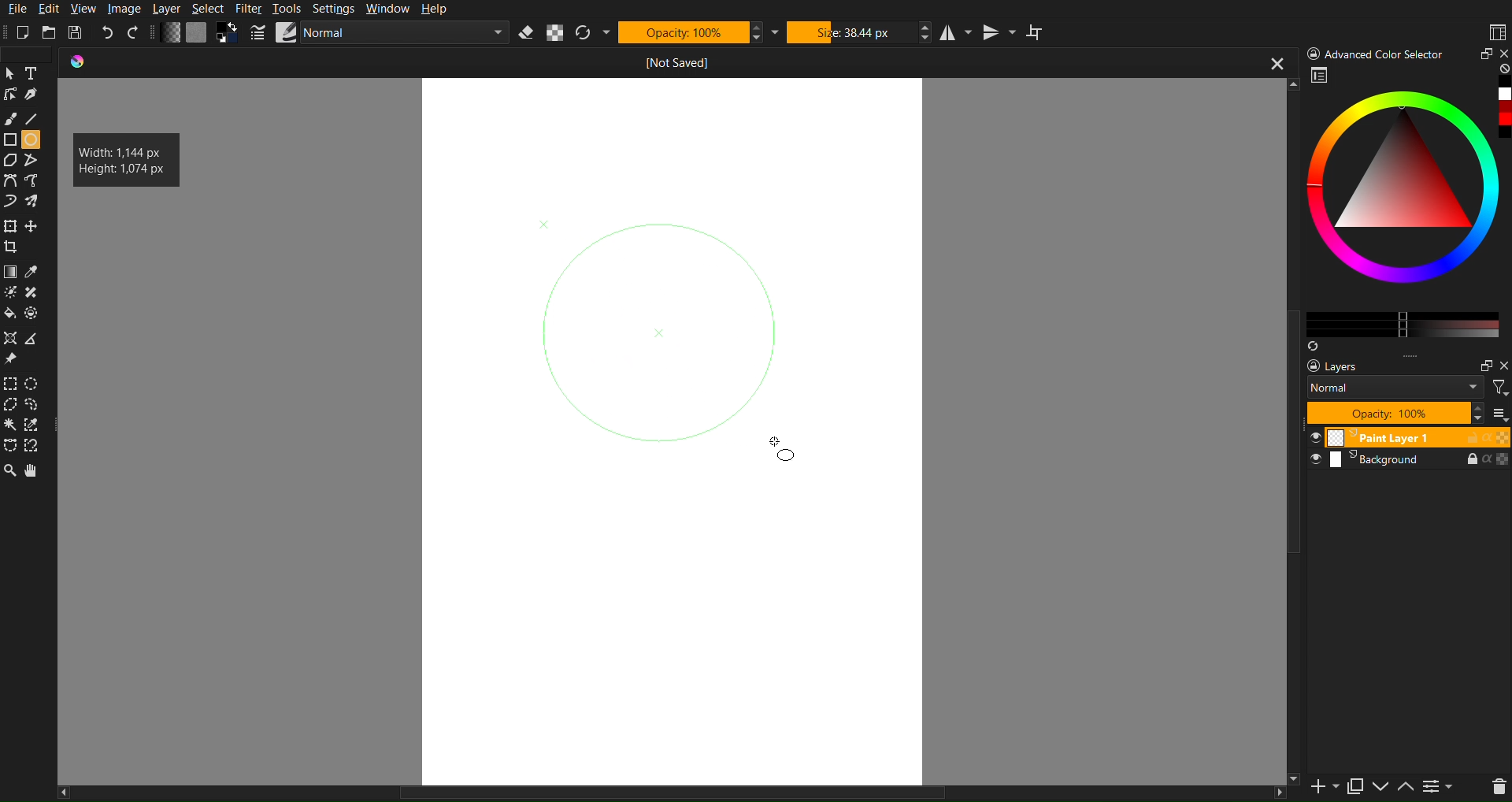 The width and height of the screenshot is (1512, 802). I want to click on Color fill, so click(9, 315).